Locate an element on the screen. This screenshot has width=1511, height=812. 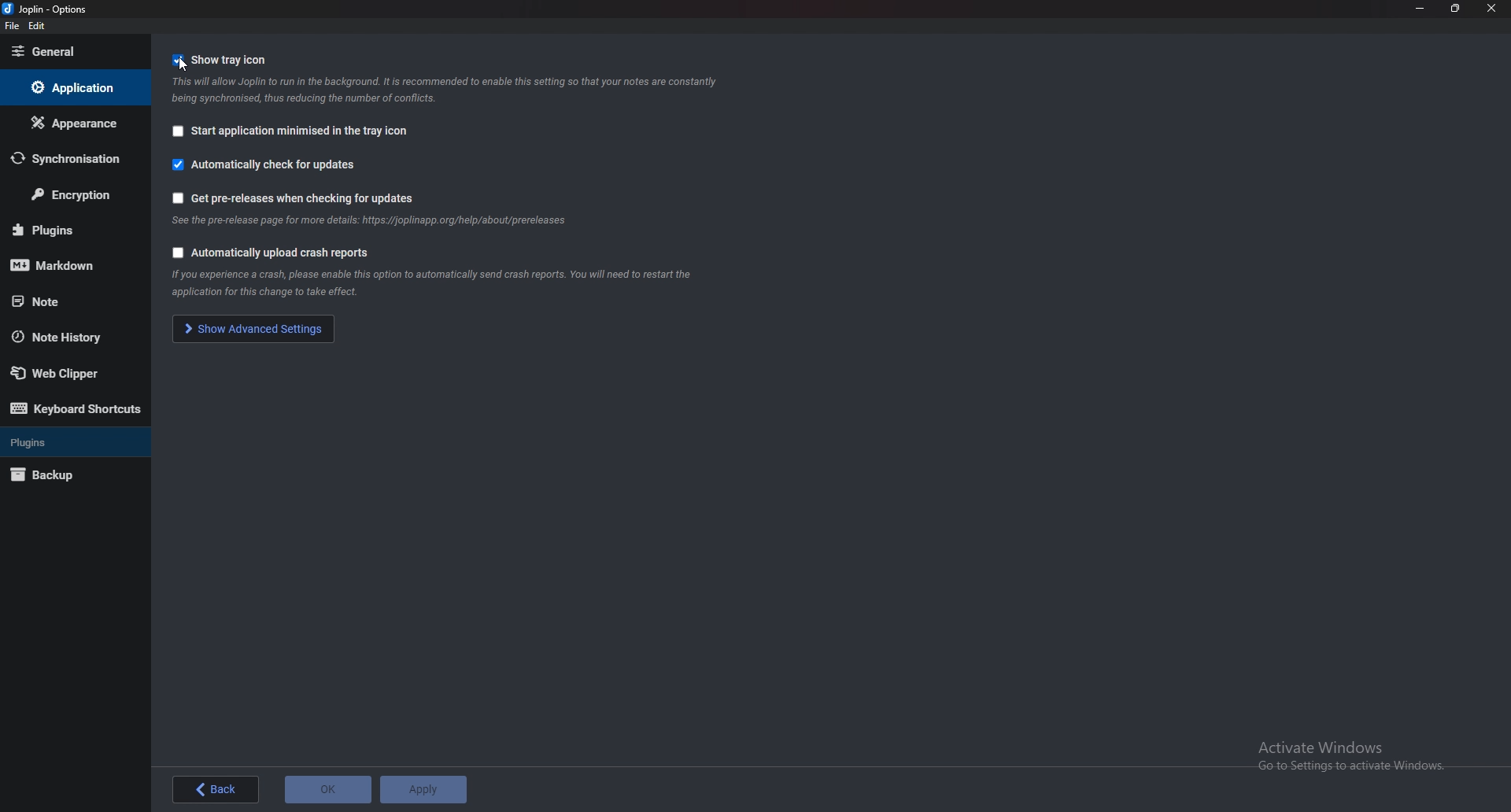
Activate Windows
Go to Settings to activate Windows. is located at coordinates (1354, 756).